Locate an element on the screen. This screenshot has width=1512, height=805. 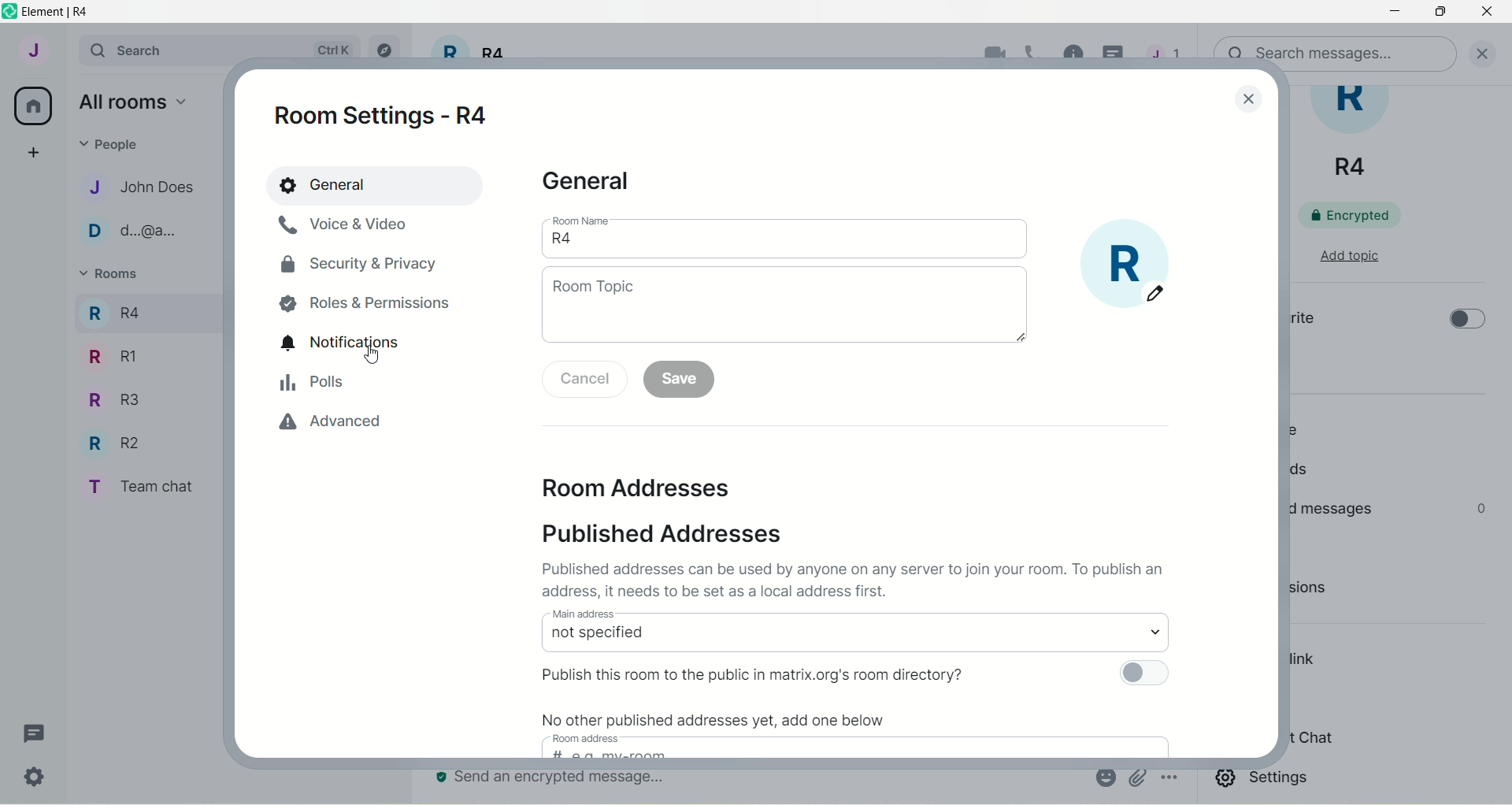
threads is located at coordinates (1168, 50).